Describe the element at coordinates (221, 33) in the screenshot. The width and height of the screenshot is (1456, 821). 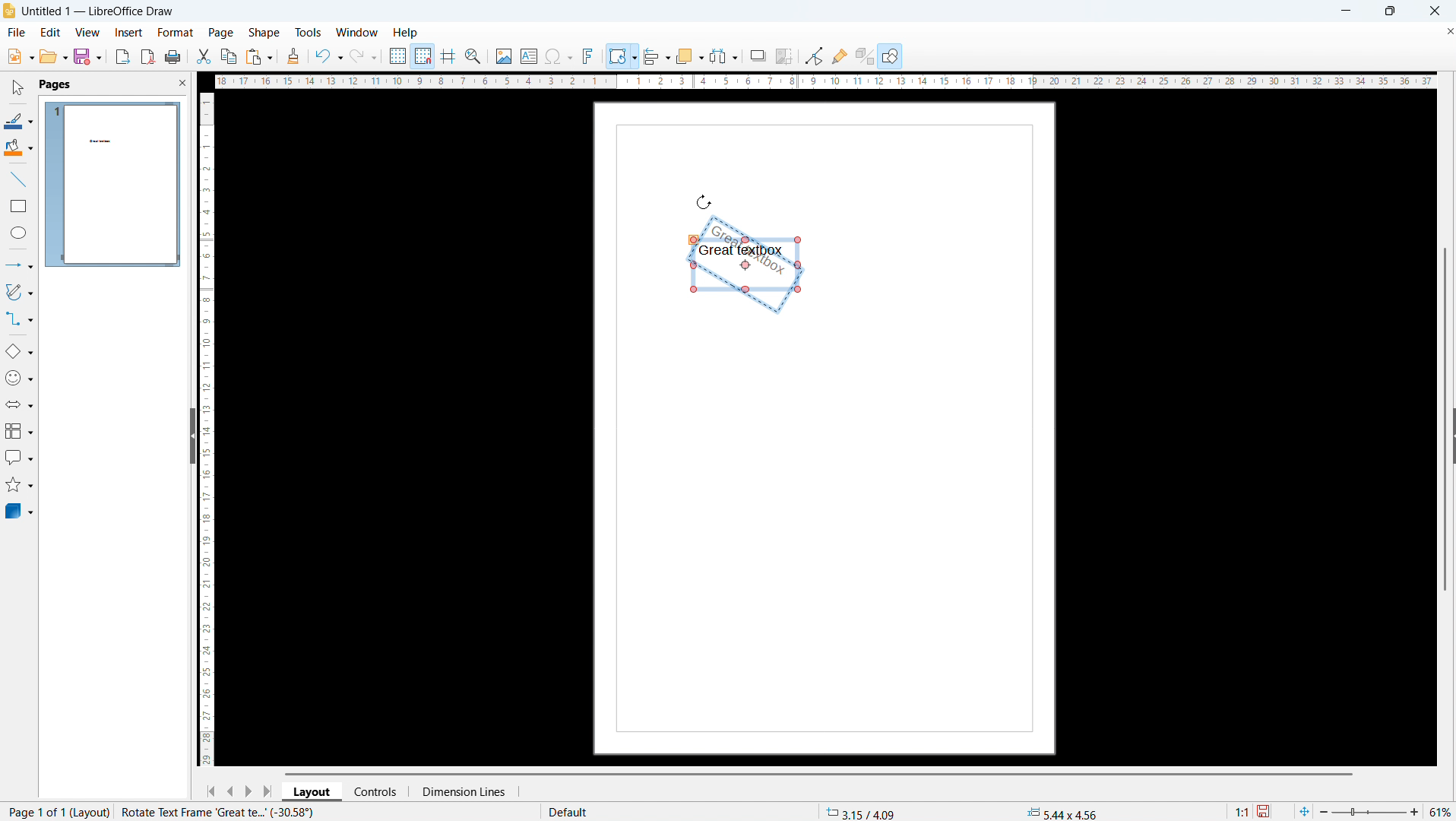
I see `page` at that location.